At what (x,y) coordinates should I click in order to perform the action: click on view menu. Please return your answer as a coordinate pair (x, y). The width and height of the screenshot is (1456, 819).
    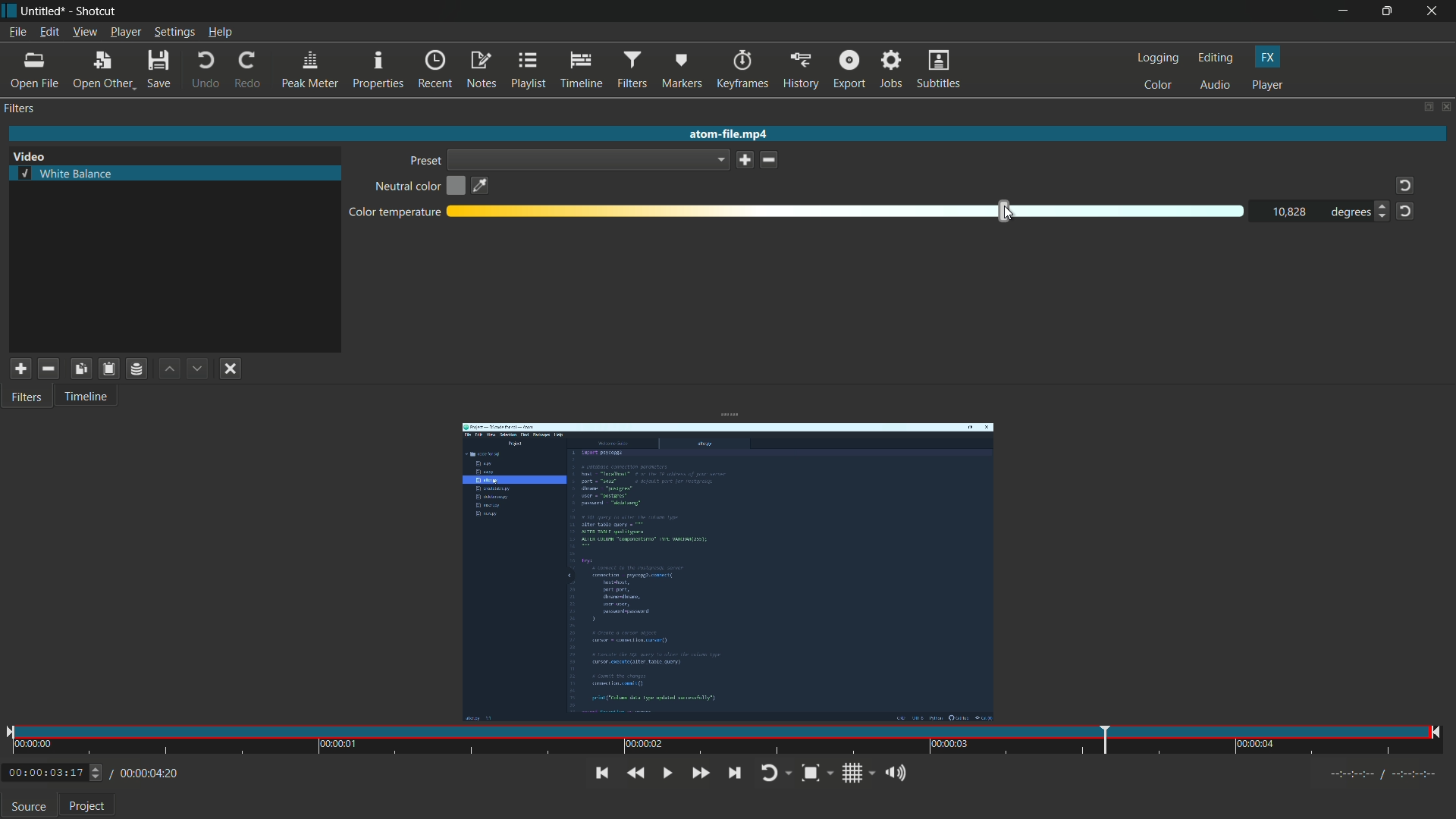
    Looking at the image, I should click on (84, 32).